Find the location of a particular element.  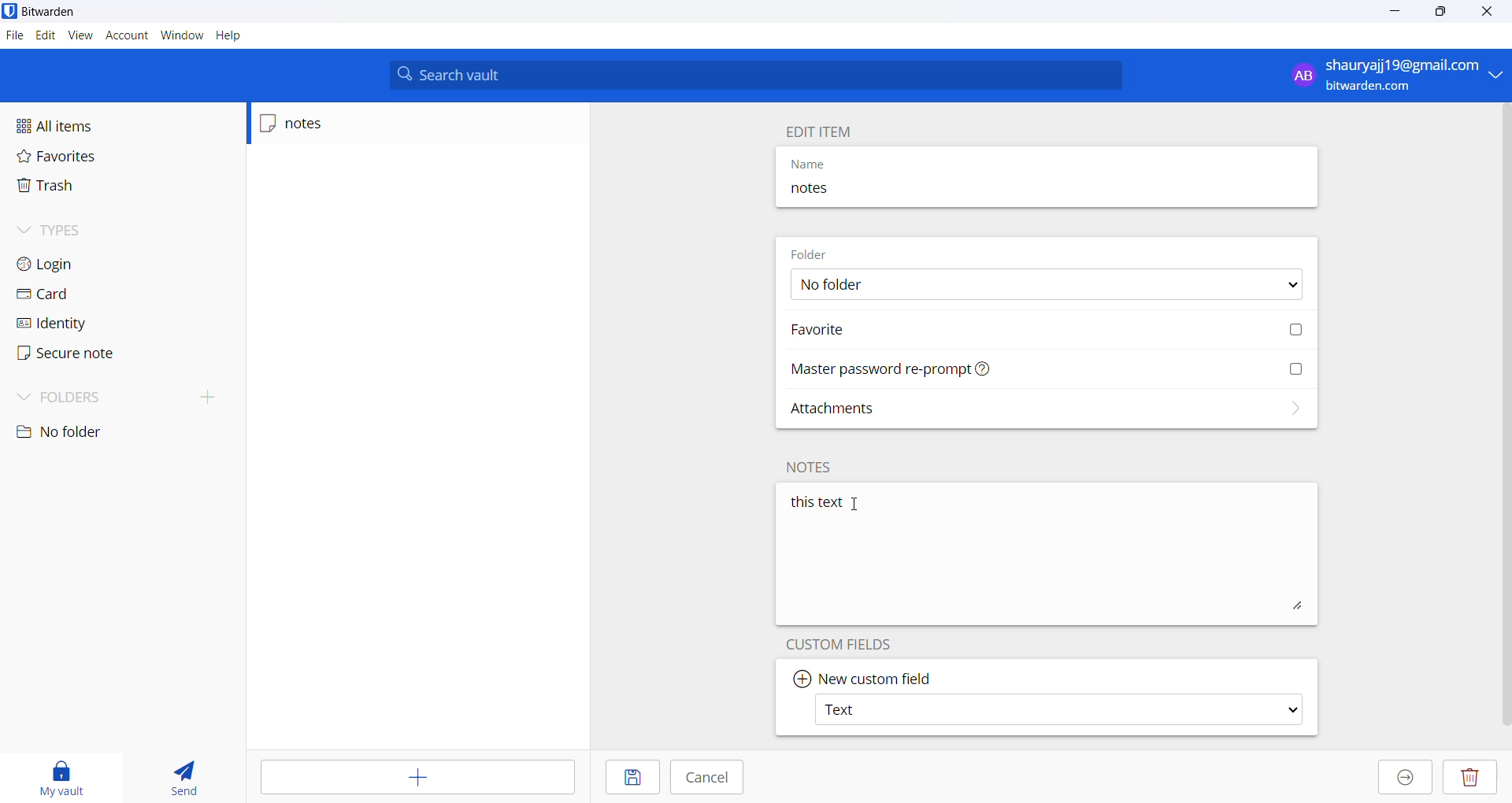

edit is located at coordinates (45, 36).